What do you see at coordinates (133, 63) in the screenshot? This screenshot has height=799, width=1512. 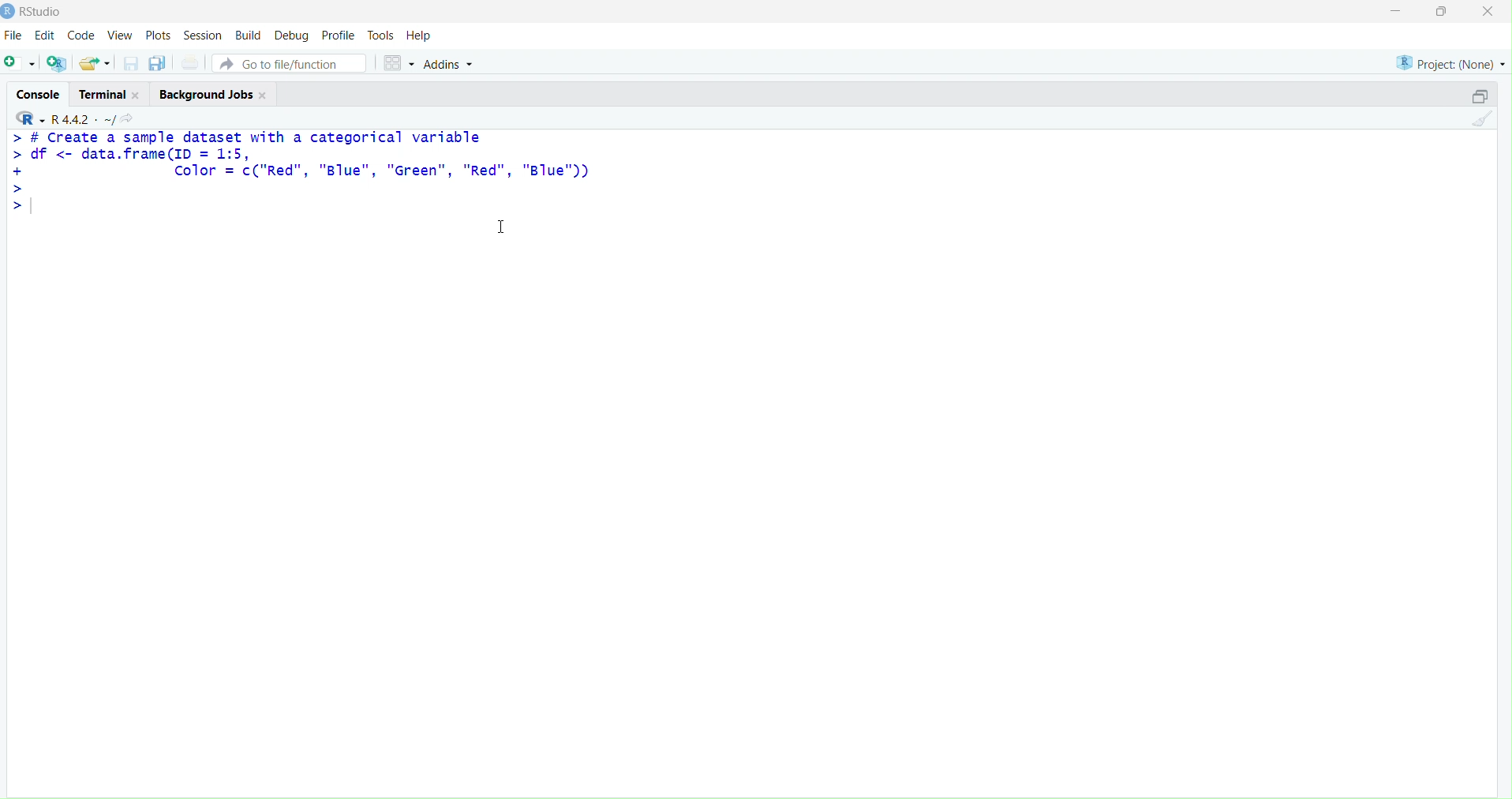 I see `save` at bounding box center [133, 63].